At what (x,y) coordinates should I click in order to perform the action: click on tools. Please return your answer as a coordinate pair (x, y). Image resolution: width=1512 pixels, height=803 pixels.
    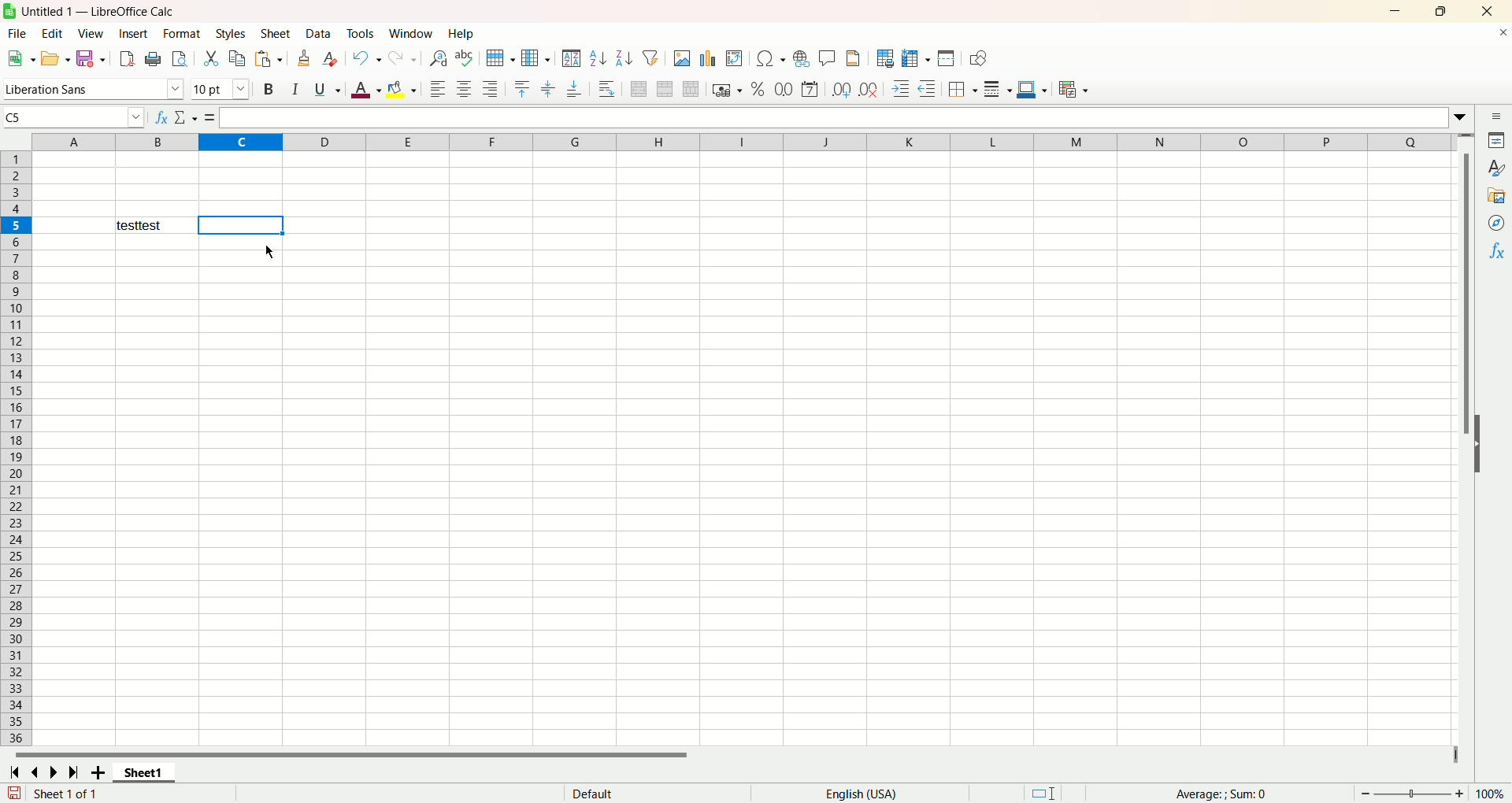
    Looking at the image, I should click on (360, 34).